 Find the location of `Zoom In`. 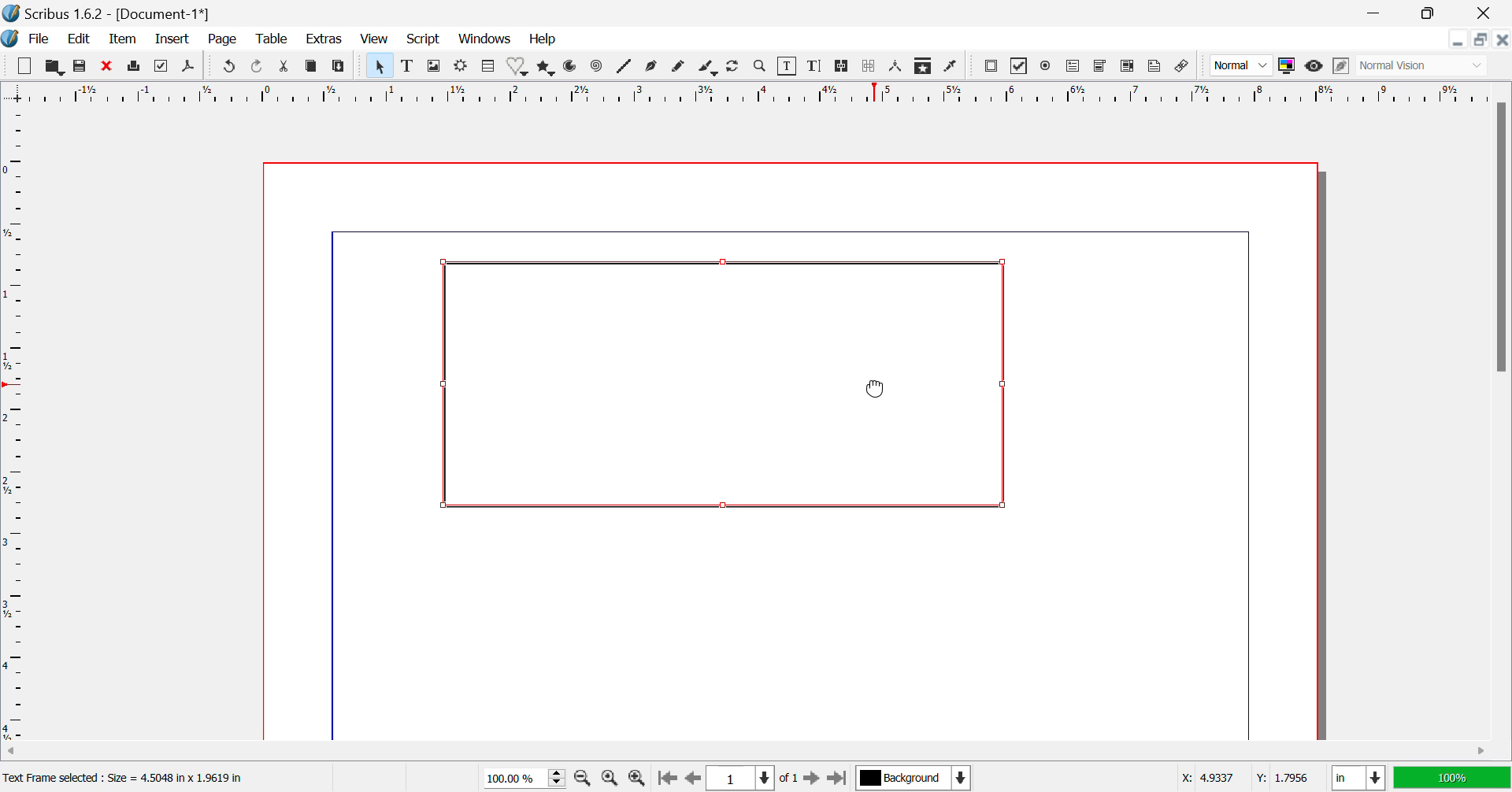

Zoom In is located at coordinates (636, 779).